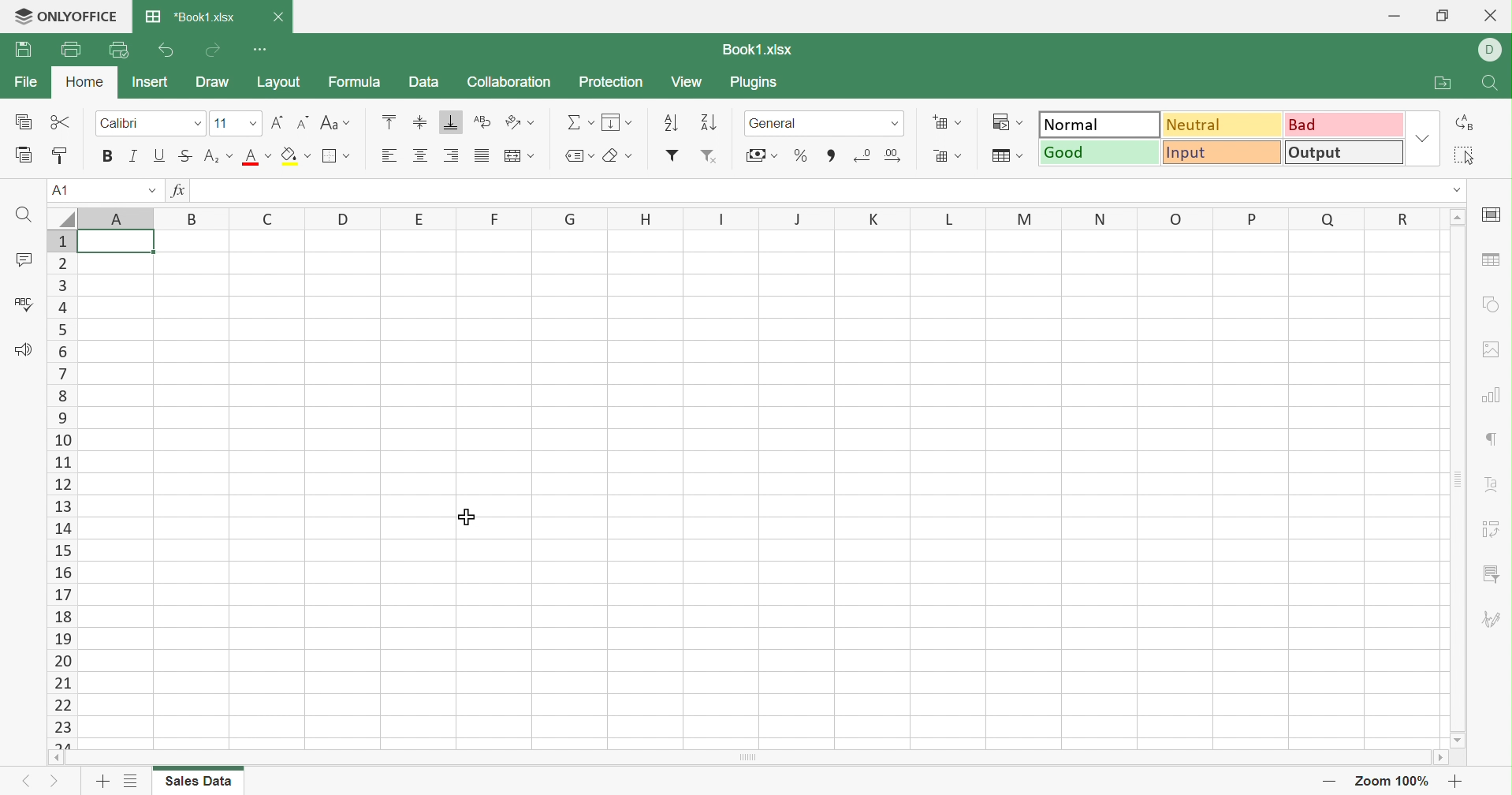 Image resolution: width=1512 pixels, height=795 pixels. I want to click on Align Right, so click(452, 157).